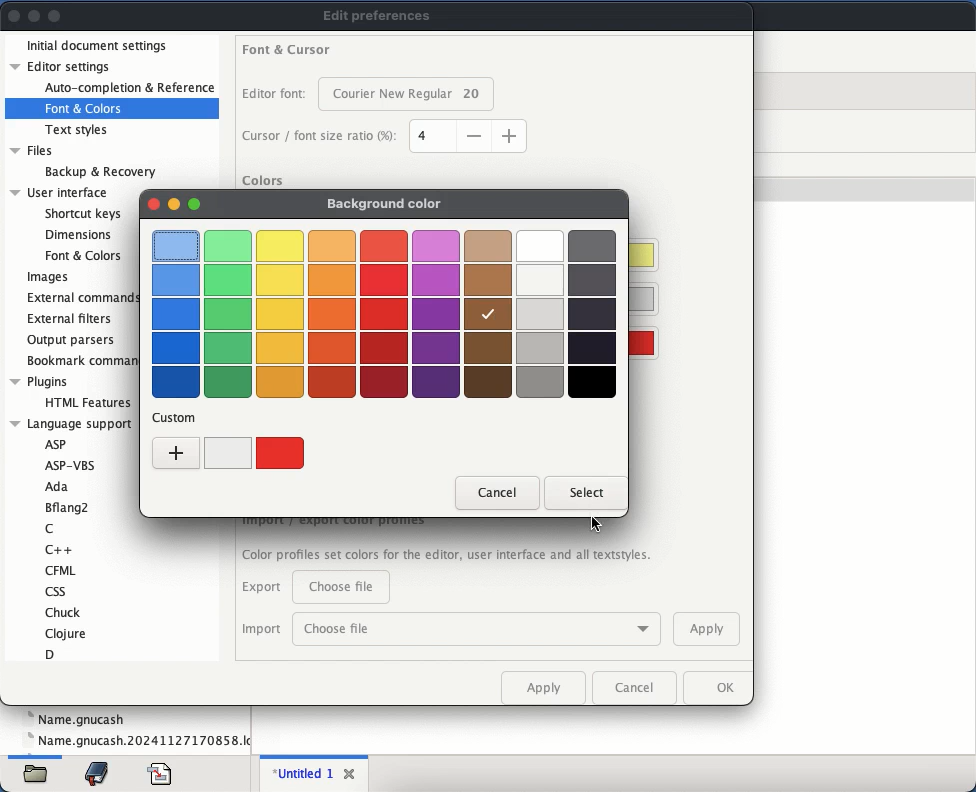 The image size is (976, 792). What do you see at coordinates (323, 137) in the screenshot?
I see `cursor font size ratio` at bounding box center [323, 137].